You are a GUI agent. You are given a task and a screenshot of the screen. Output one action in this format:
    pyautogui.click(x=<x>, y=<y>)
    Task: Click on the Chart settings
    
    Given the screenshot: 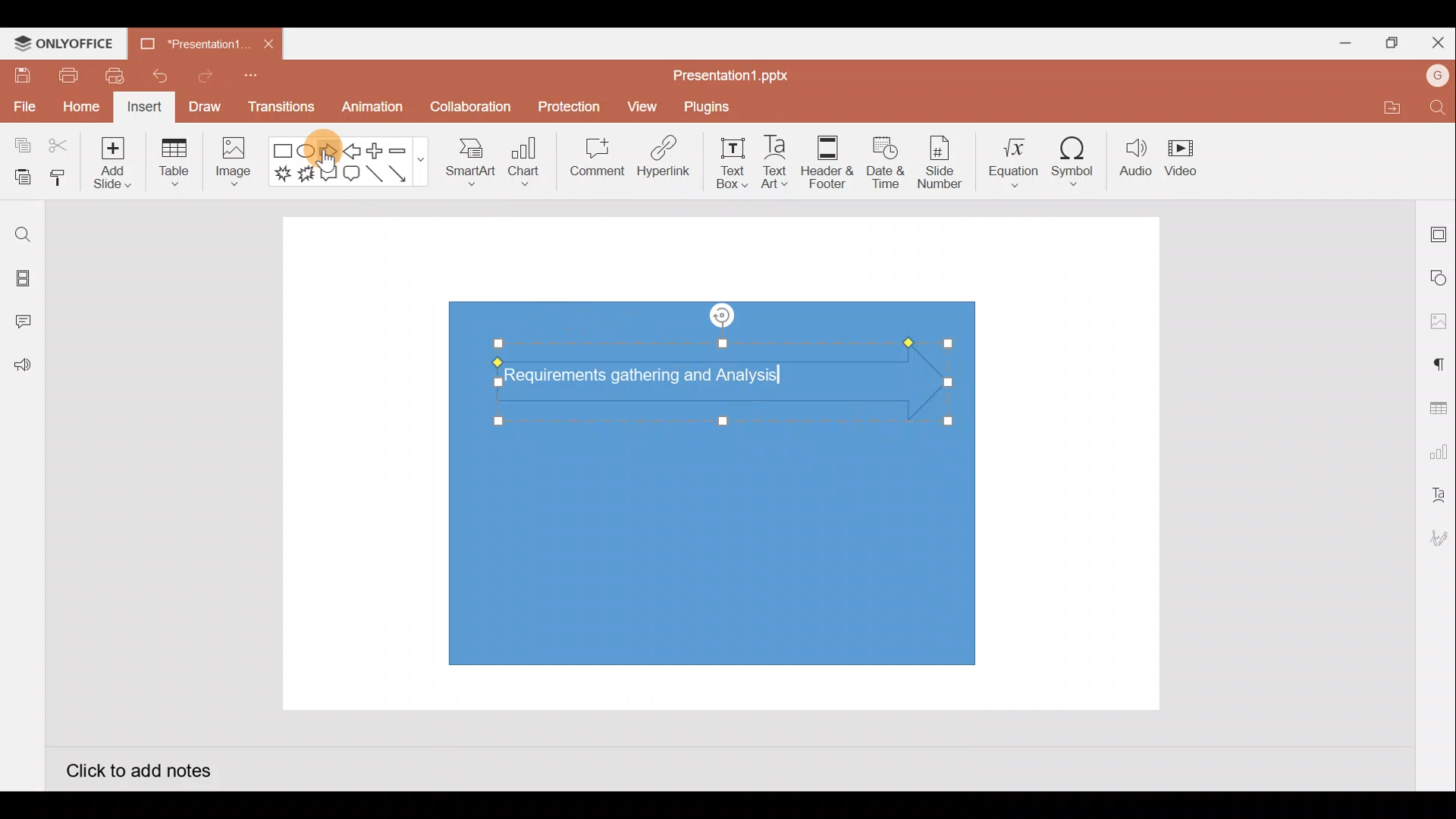 What is the action you would take?
    pyautogui.click(x=1436, y=449)
    